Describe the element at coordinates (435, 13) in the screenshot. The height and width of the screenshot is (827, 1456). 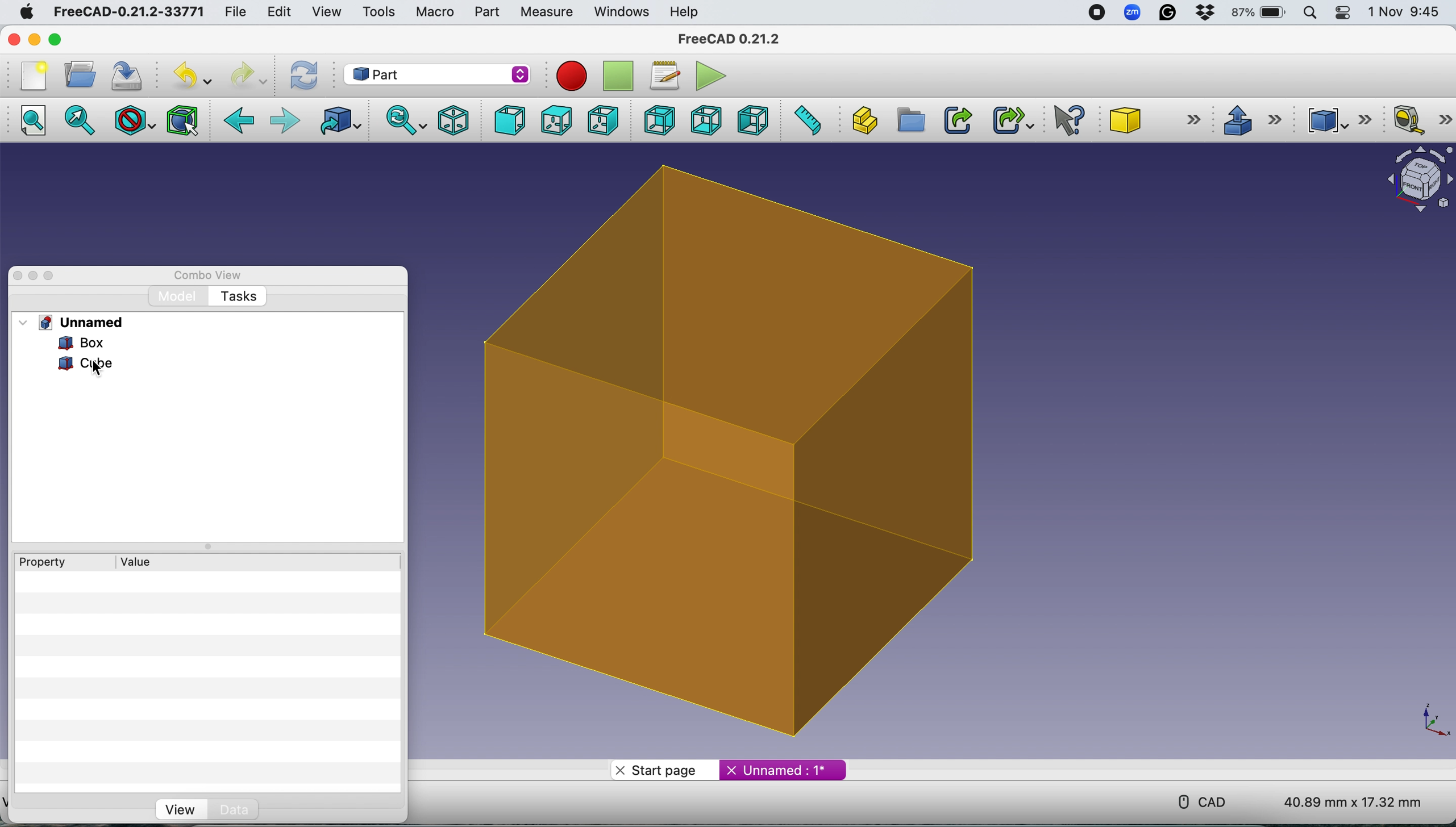
I see `Macro` at that location.